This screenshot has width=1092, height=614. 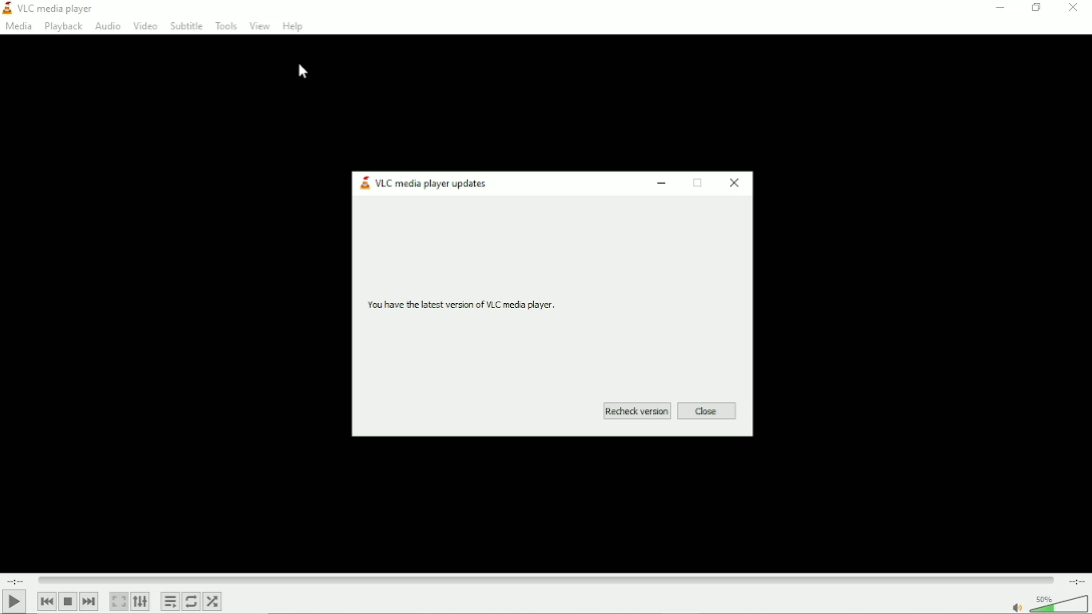 I want to click on Show extended settings, so click(x=141, y=601).